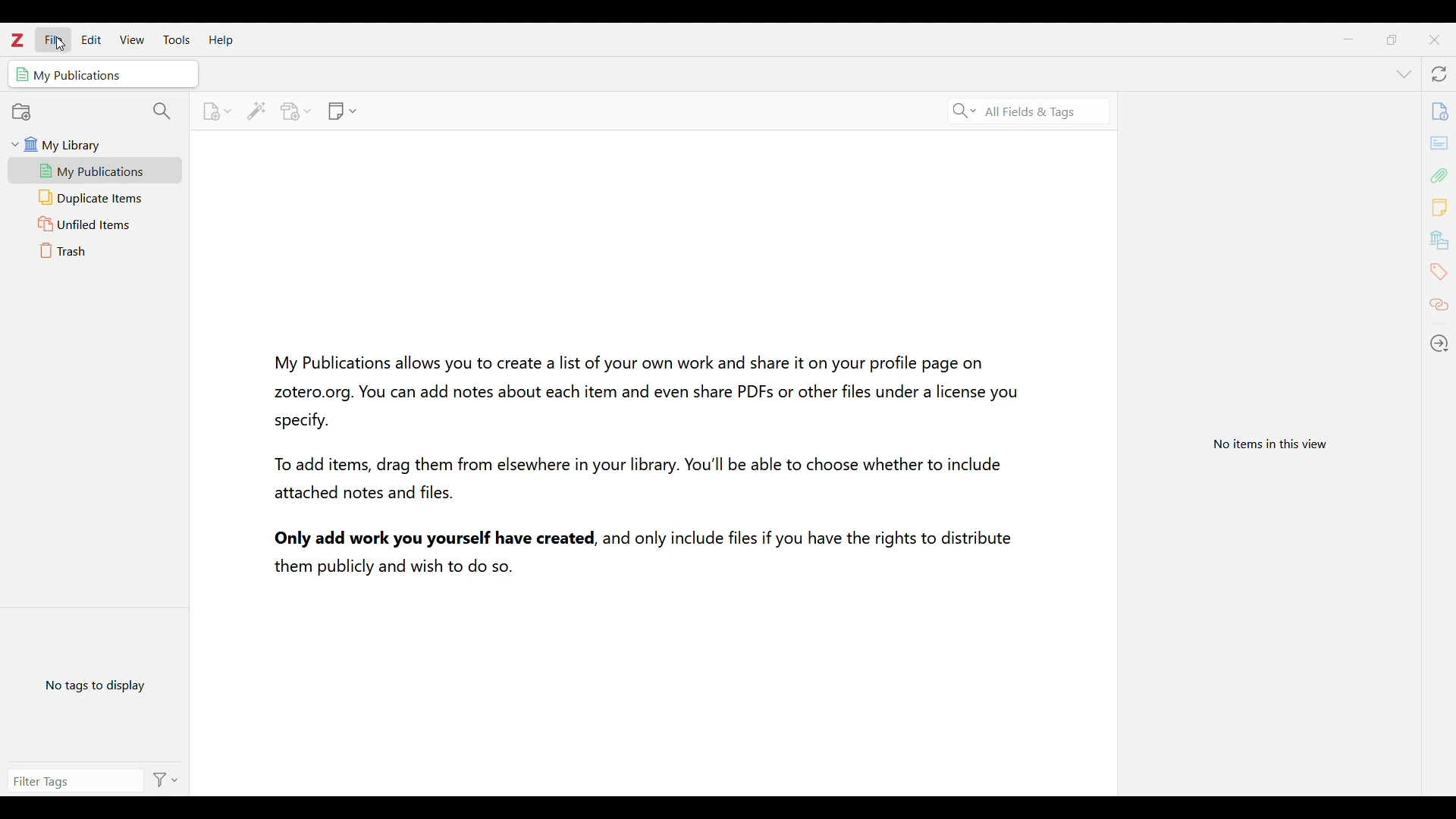 The height and width of the screenshot is (819, 1456). Describe the element at coordinates (297, 111) in the screenshot. I see `Options to add attachment ` at that location.